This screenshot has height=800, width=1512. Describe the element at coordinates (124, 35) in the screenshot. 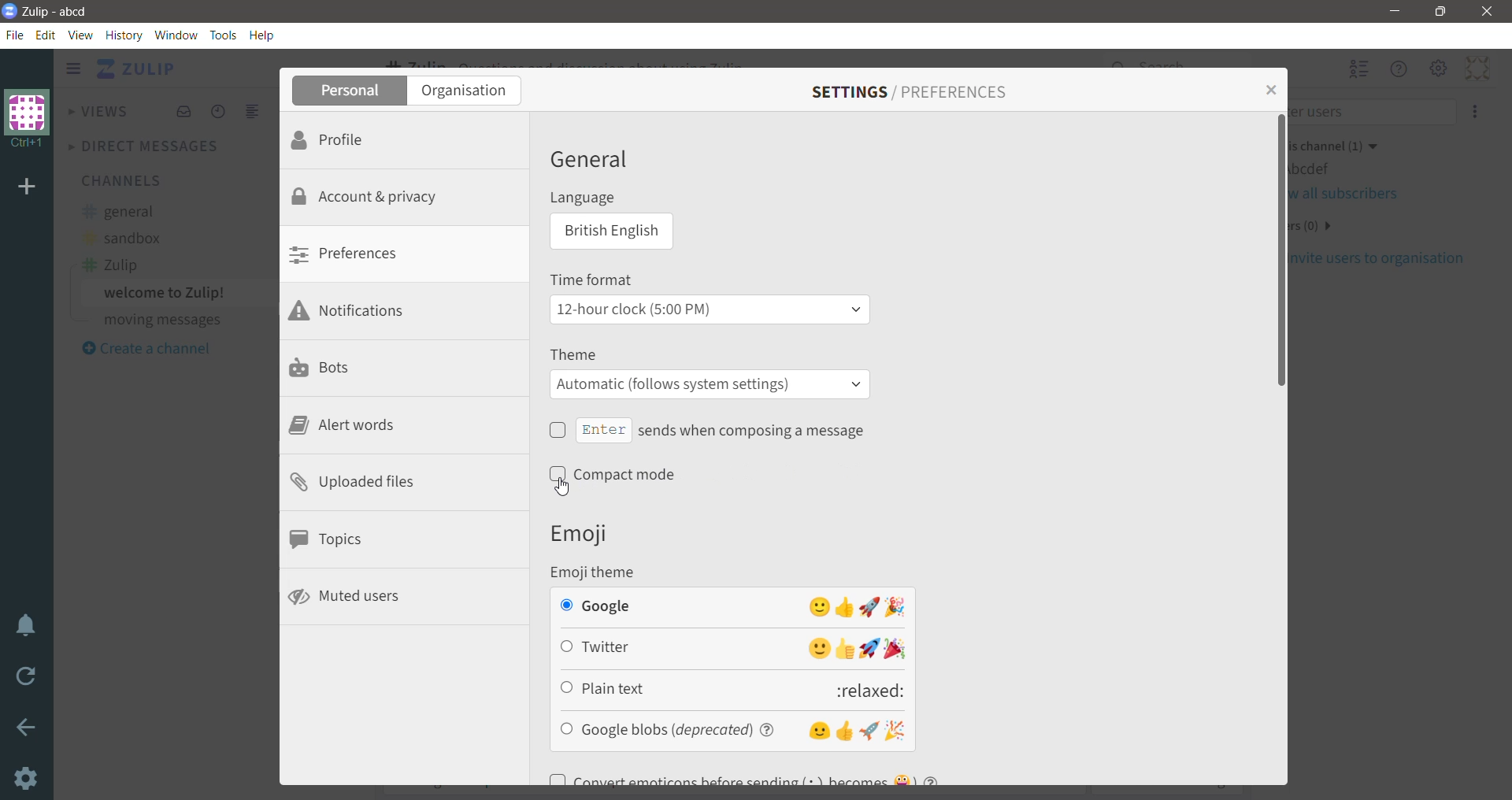

I see `History` at that location.